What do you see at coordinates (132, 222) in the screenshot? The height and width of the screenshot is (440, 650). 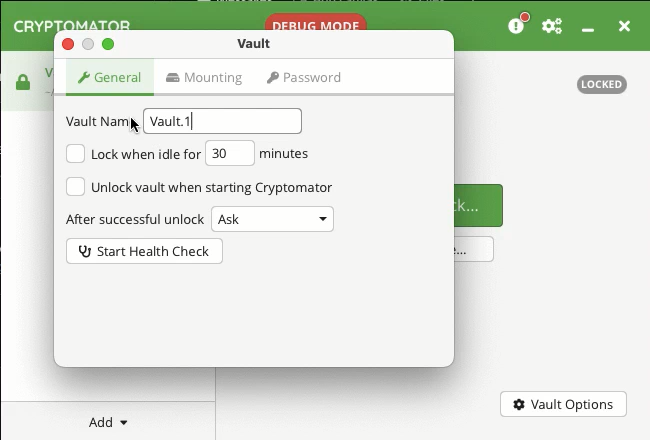 I see `After successful unlock` at bounding box center [132, 222].